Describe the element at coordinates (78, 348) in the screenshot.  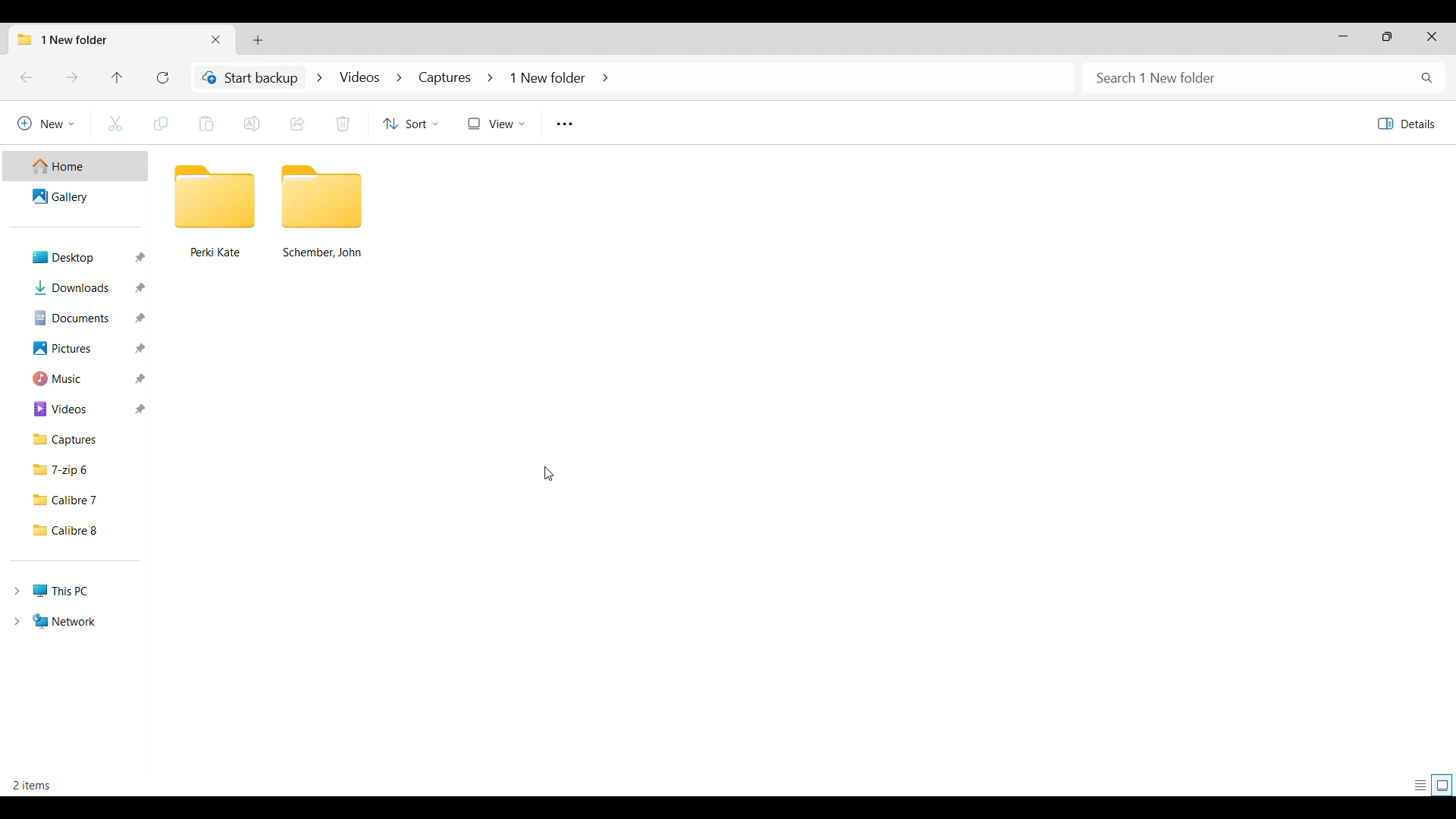
I see `Pictures` at that location.